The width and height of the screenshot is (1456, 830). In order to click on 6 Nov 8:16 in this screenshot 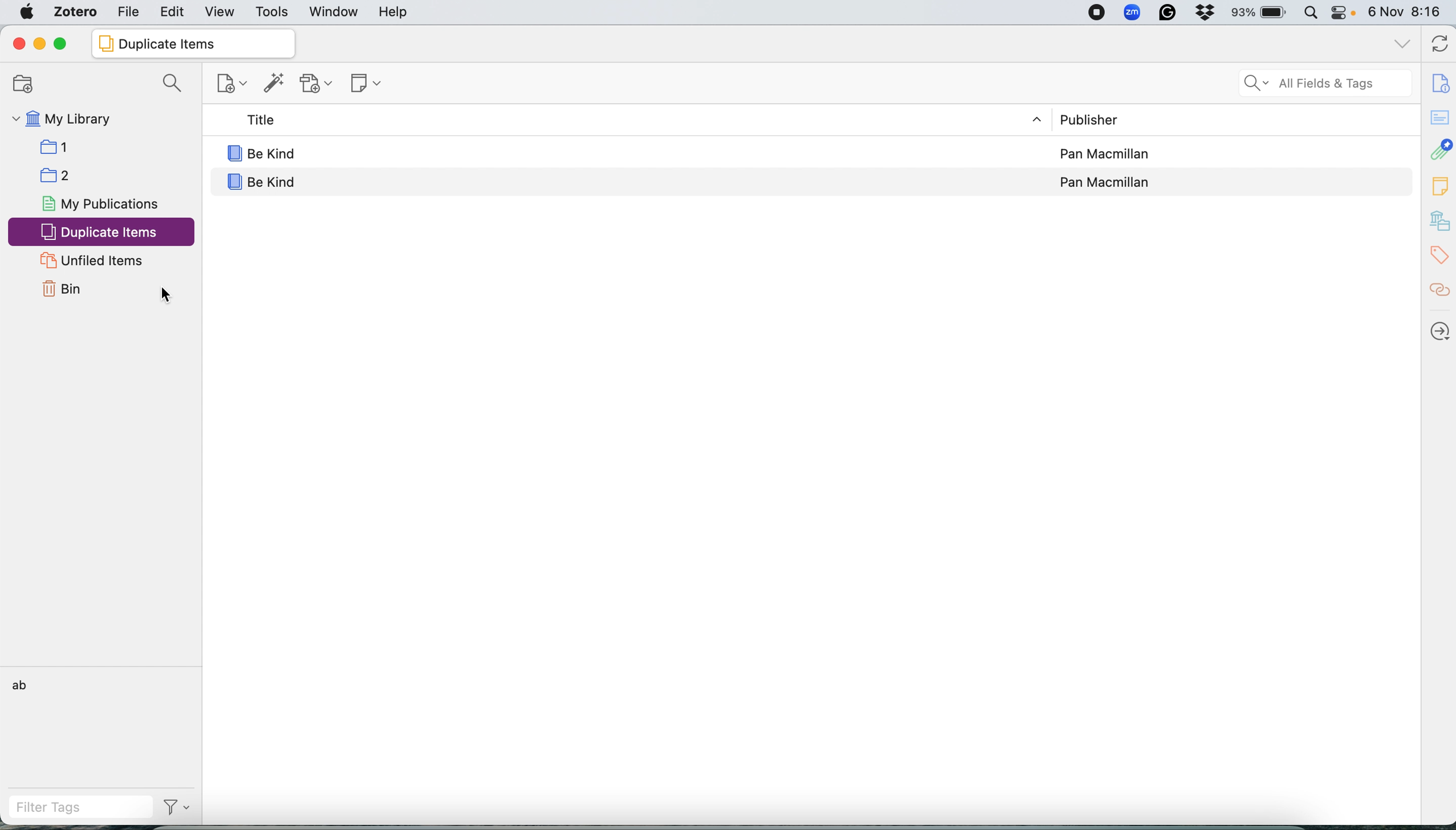, I will do `click(1407, 13)`.